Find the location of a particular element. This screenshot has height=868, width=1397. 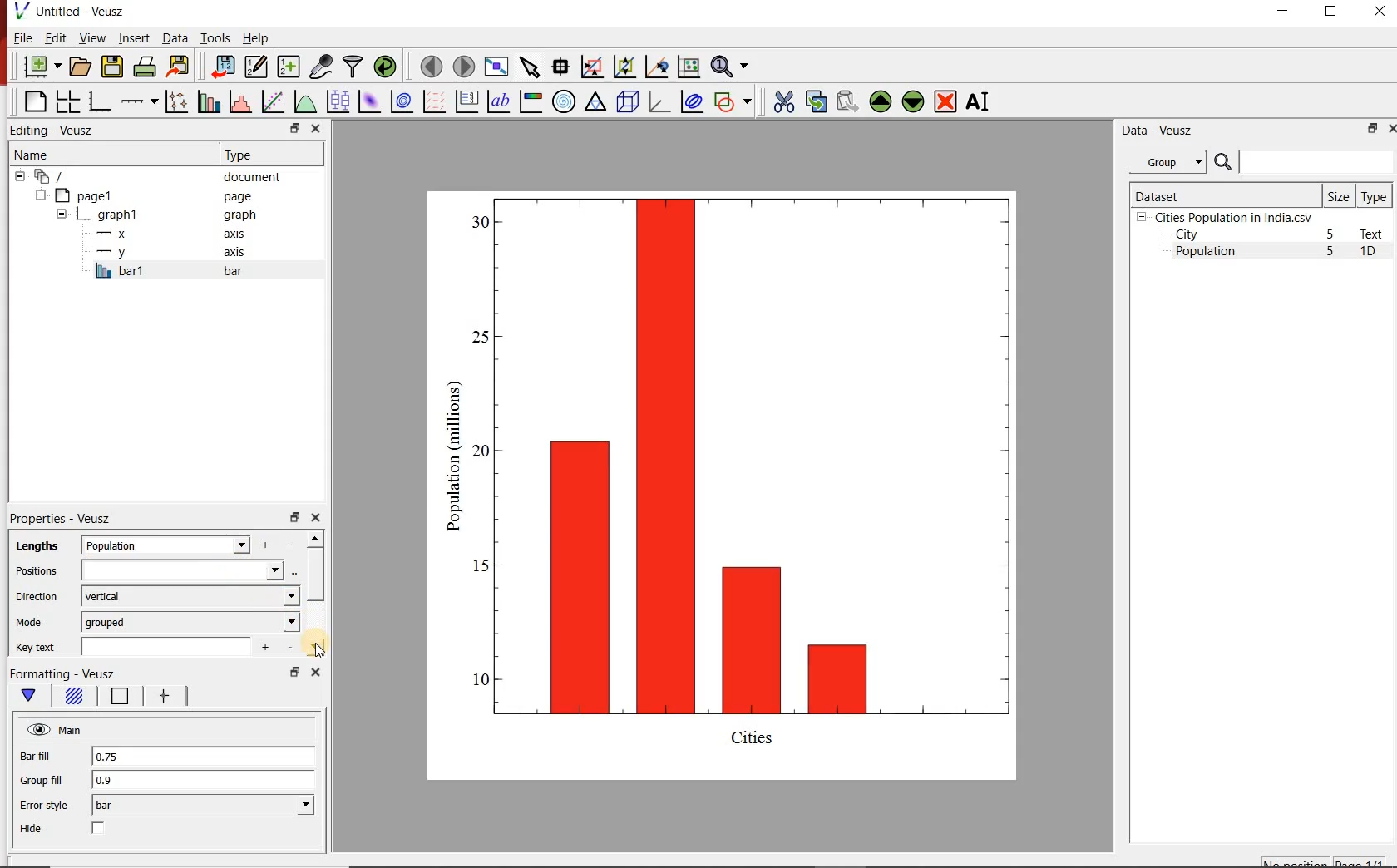

document is located at coordinates (153, 175).